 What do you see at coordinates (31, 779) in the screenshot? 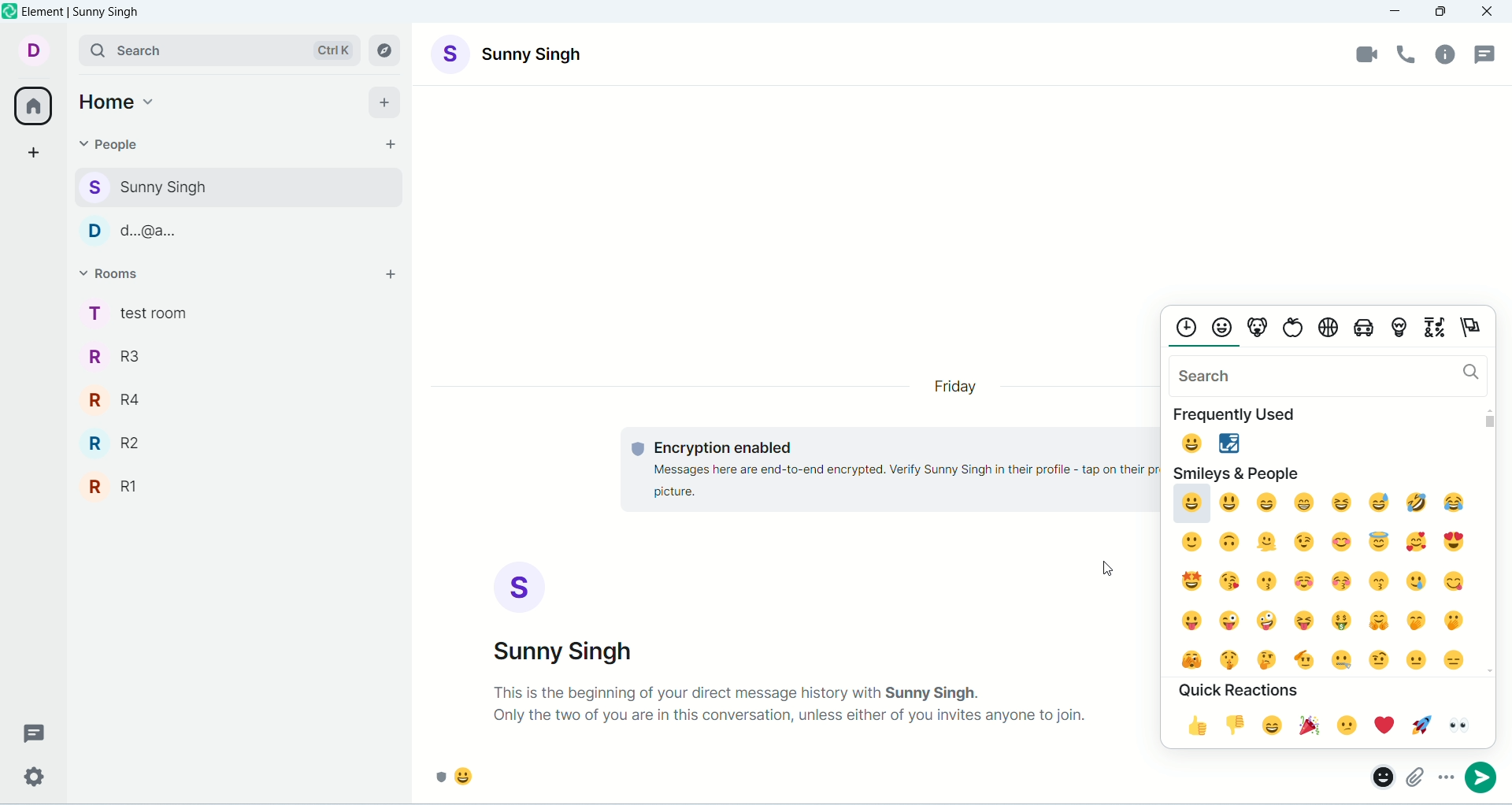
I see `settings` at bounding box center [31, 779].